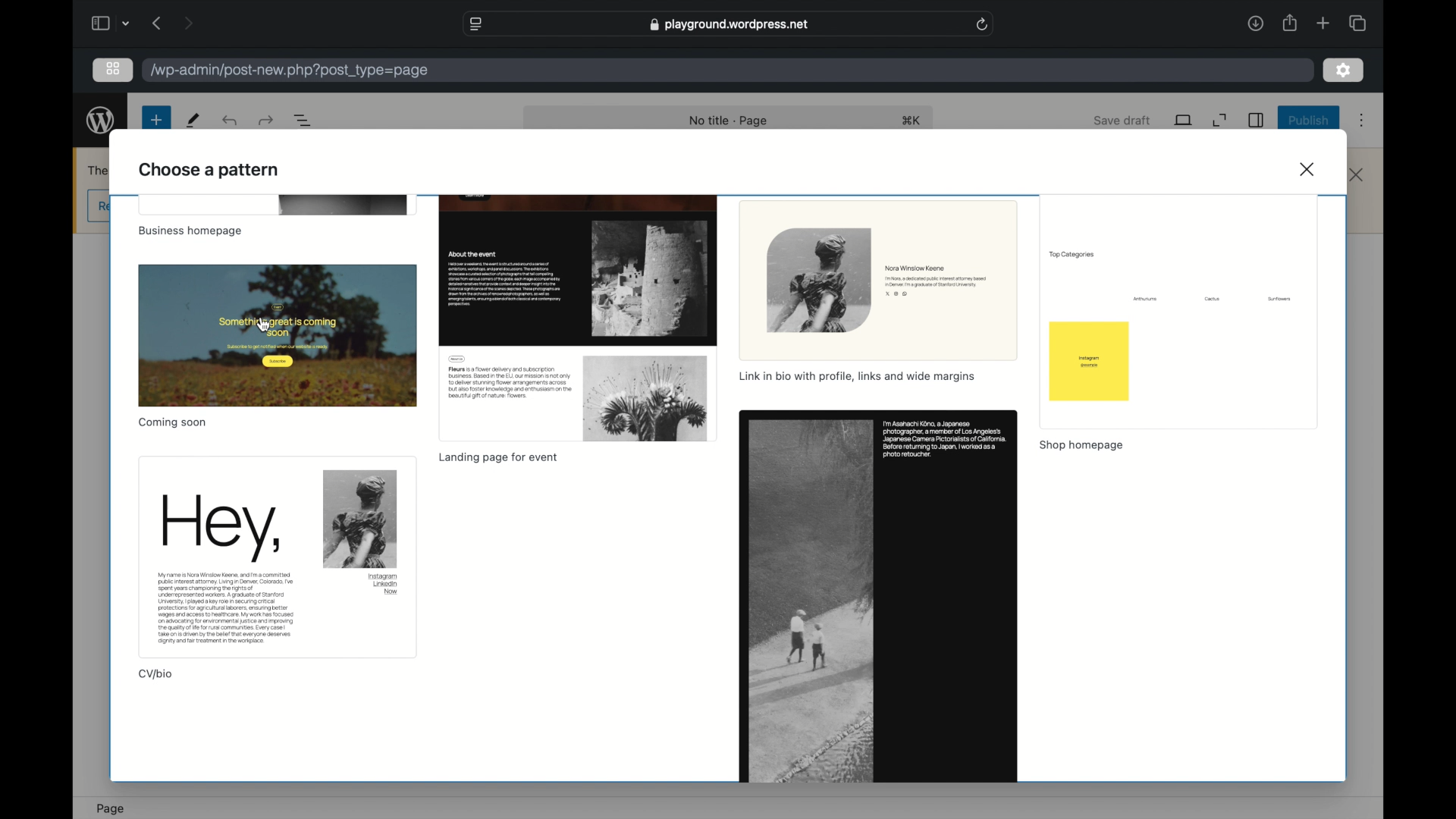  Describe the element at coordinates (228, 121) in the screenshot. I see `undo` at that location.